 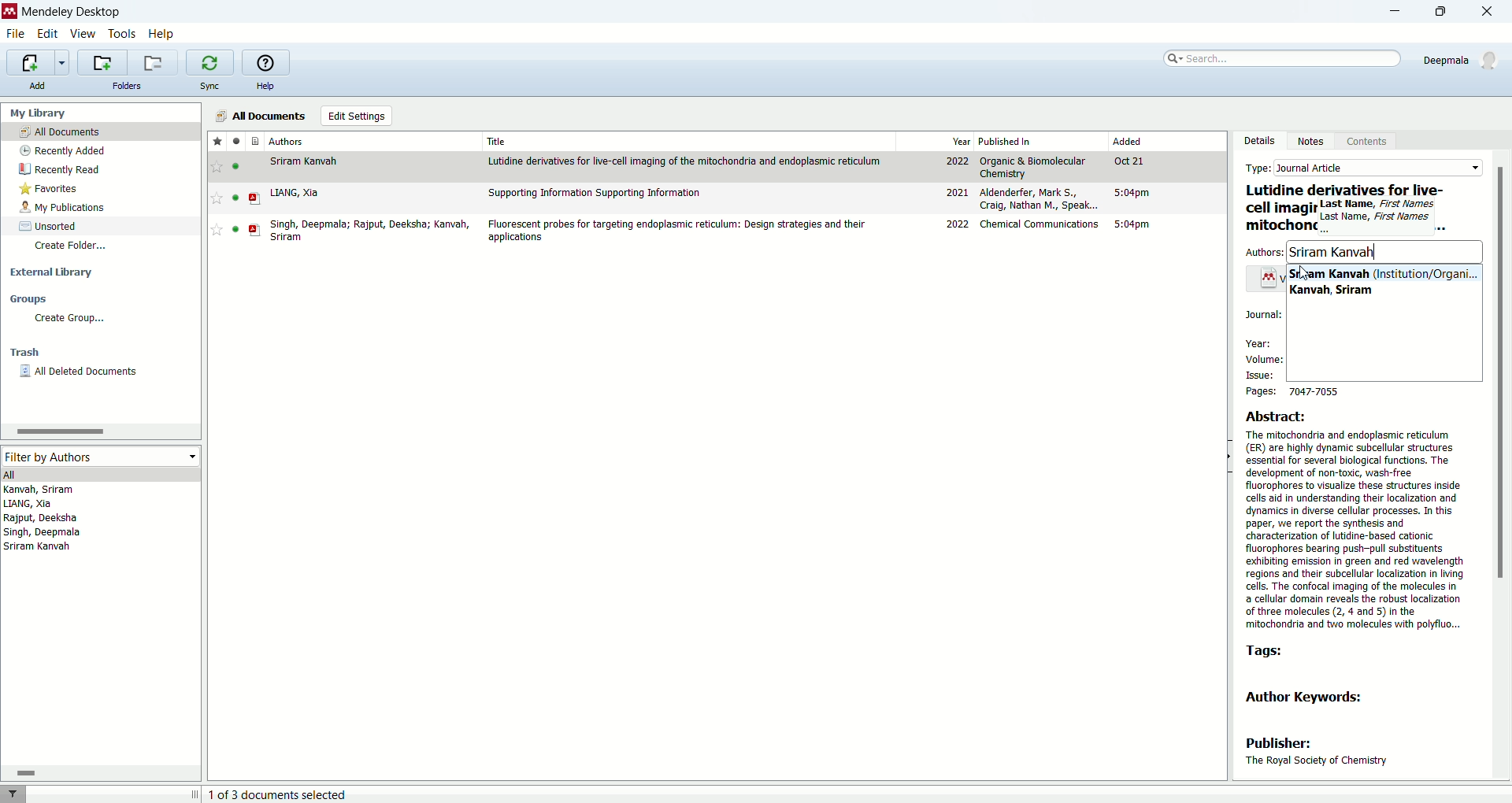 What do you see at coordinates (258, 199) in the screenshot?
I see `PDF` at bounding box center [258, 199].